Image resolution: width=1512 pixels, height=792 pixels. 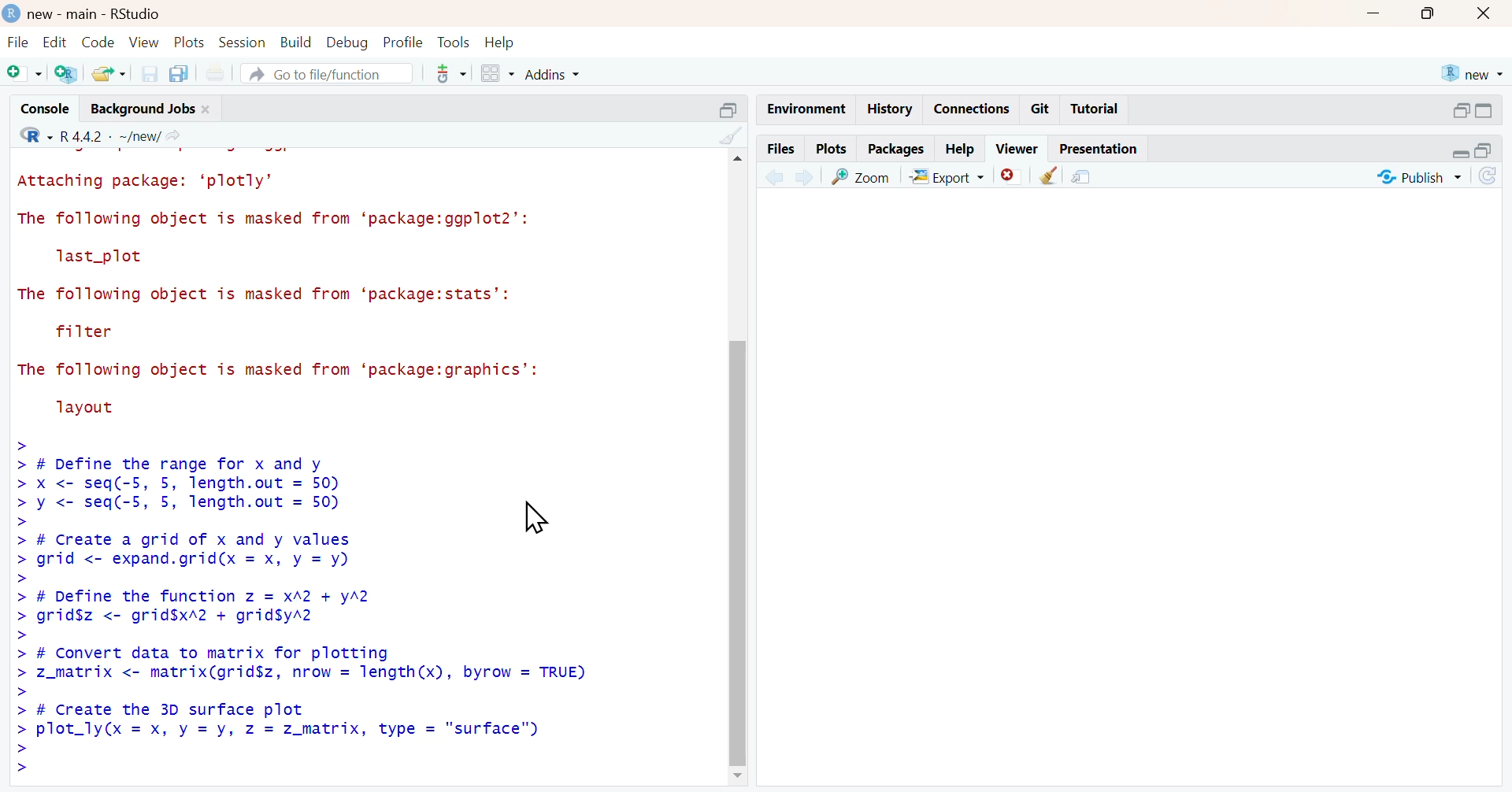 What do you see at coordinates (1458, 155) in the screenshot?
I see `minimize` at bounding box center [1458, 155].